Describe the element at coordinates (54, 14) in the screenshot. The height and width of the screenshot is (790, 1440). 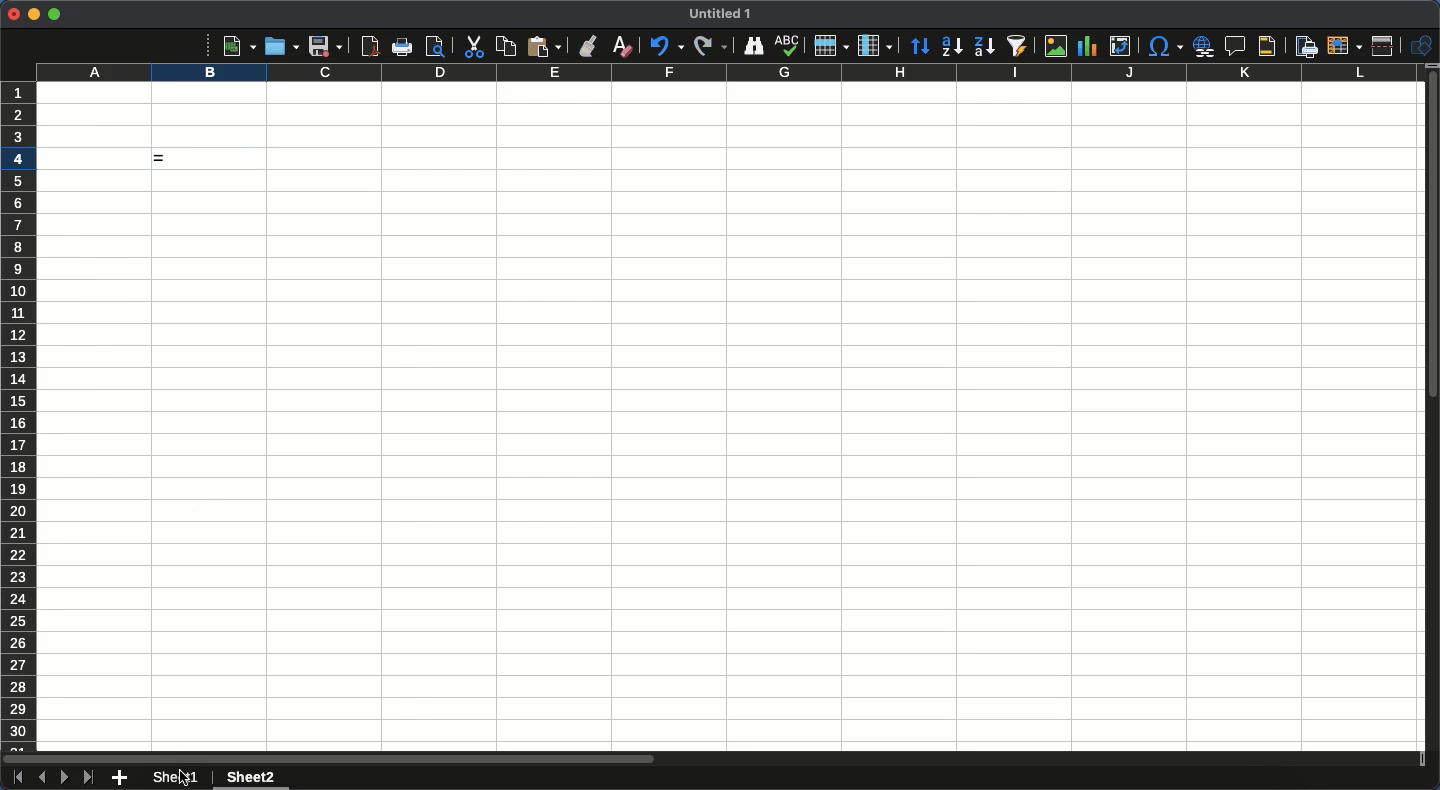
I see `Maximize` at that location.